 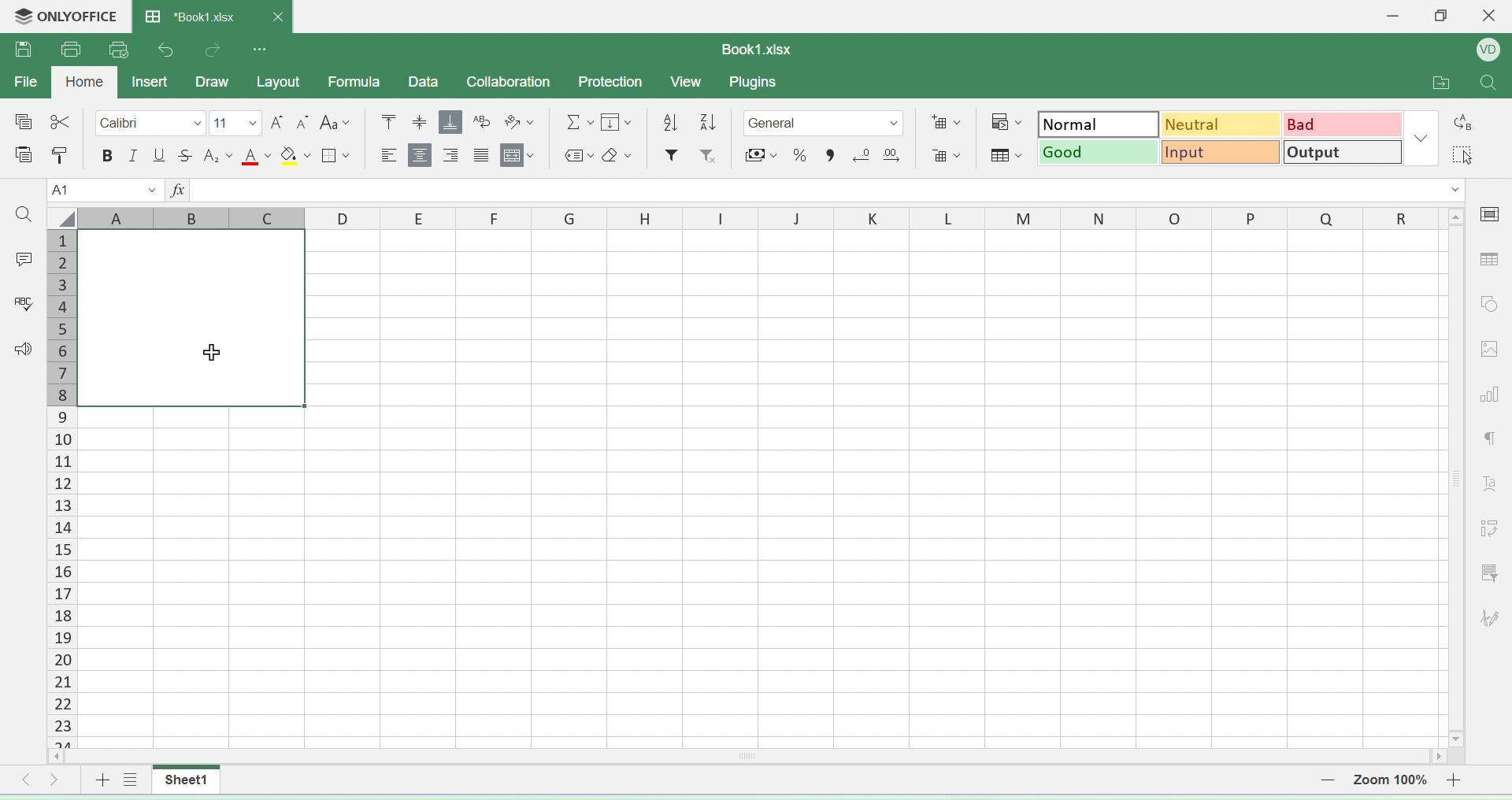 I want to click on center align, so click(x=481, y=157).